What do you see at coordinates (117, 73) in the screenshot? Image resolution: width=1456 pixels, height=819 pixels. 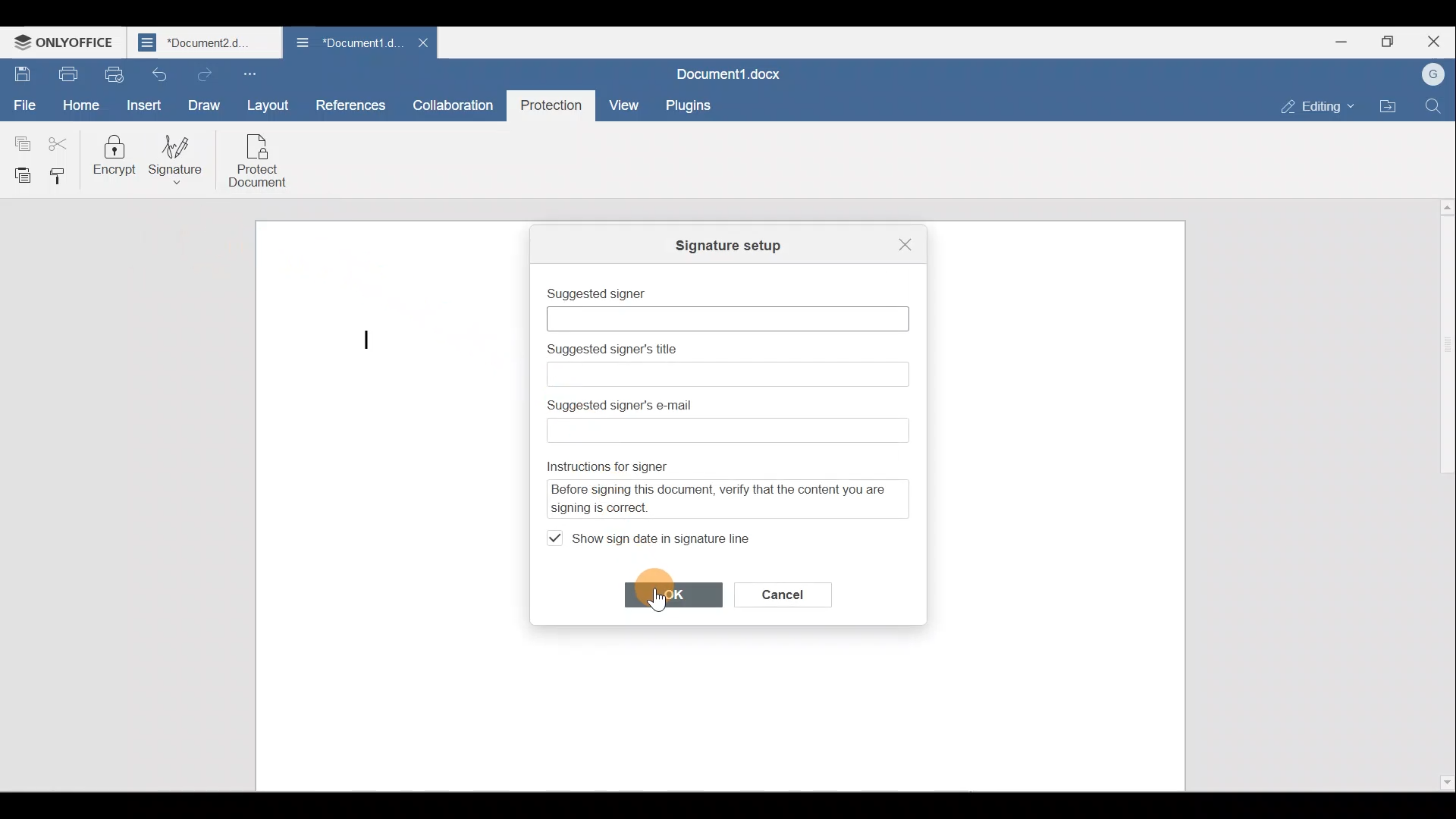 I see `Quick print` at bounding box center [117, 73].